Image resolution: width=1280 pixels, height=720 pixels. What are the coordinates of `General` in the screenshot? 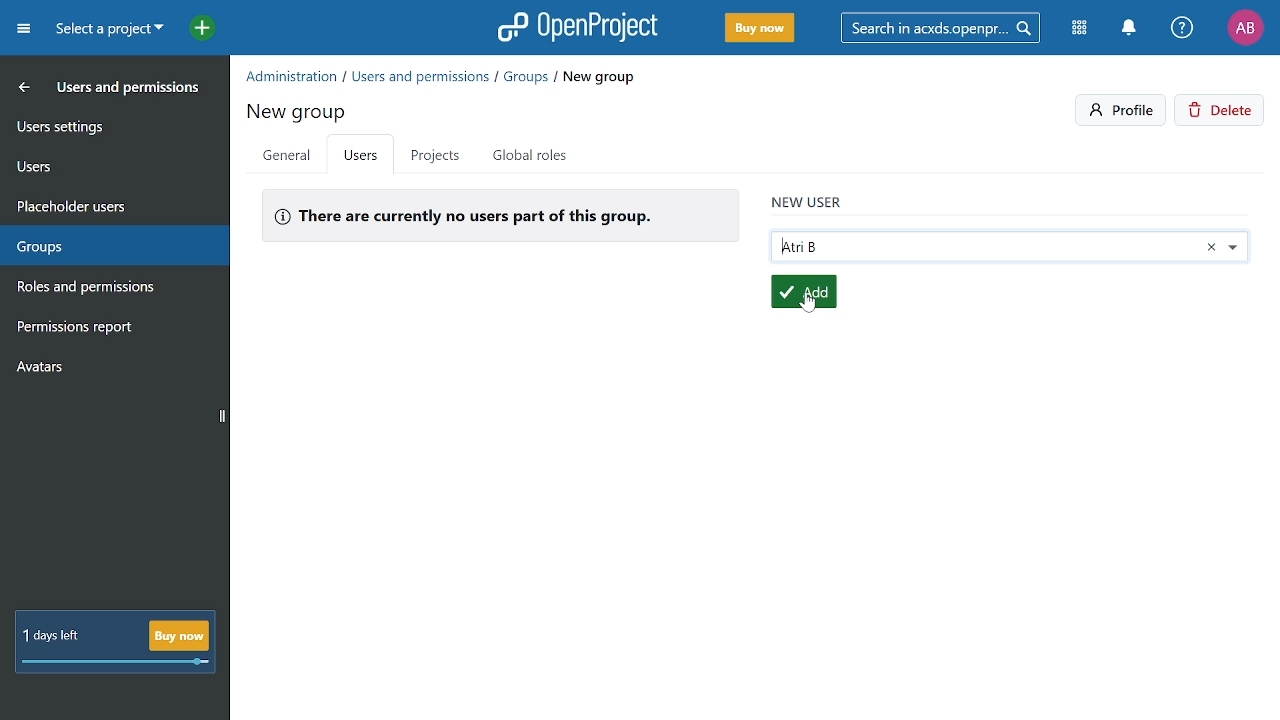 It's located at (286, 157).